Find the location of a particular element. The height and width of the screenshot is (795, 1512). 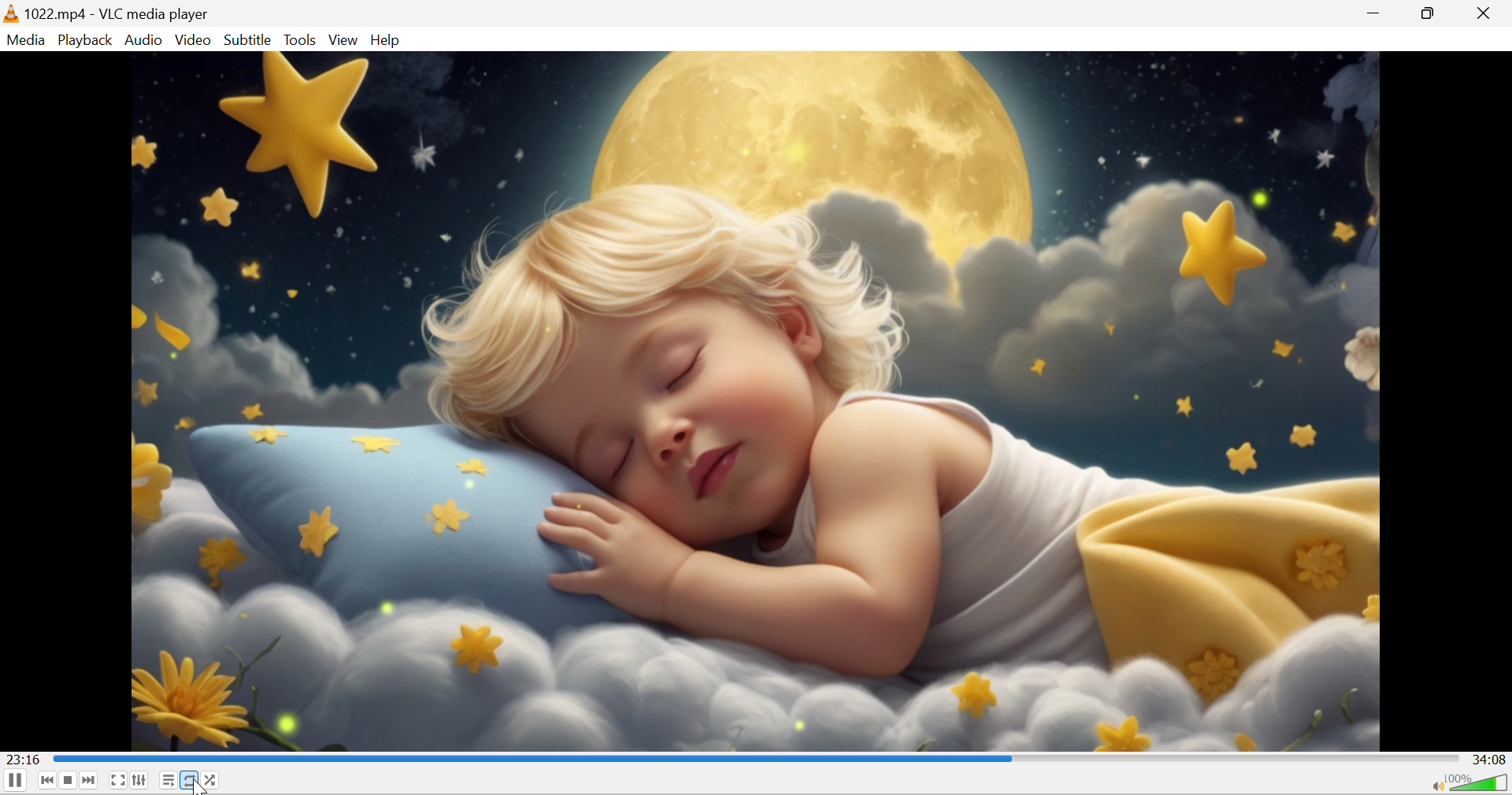

Stop playback is located at coordinates (71, 780).